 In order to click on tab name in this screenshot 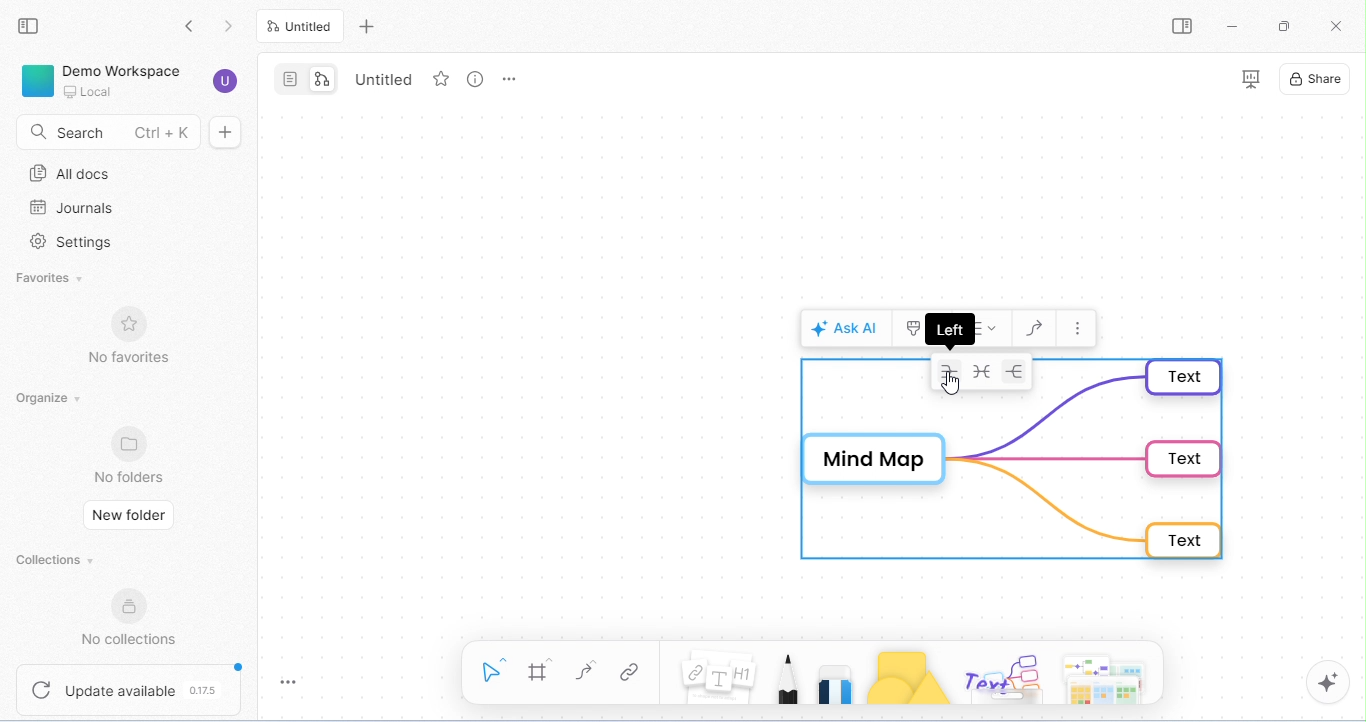, I will do `click(385, 78)`.